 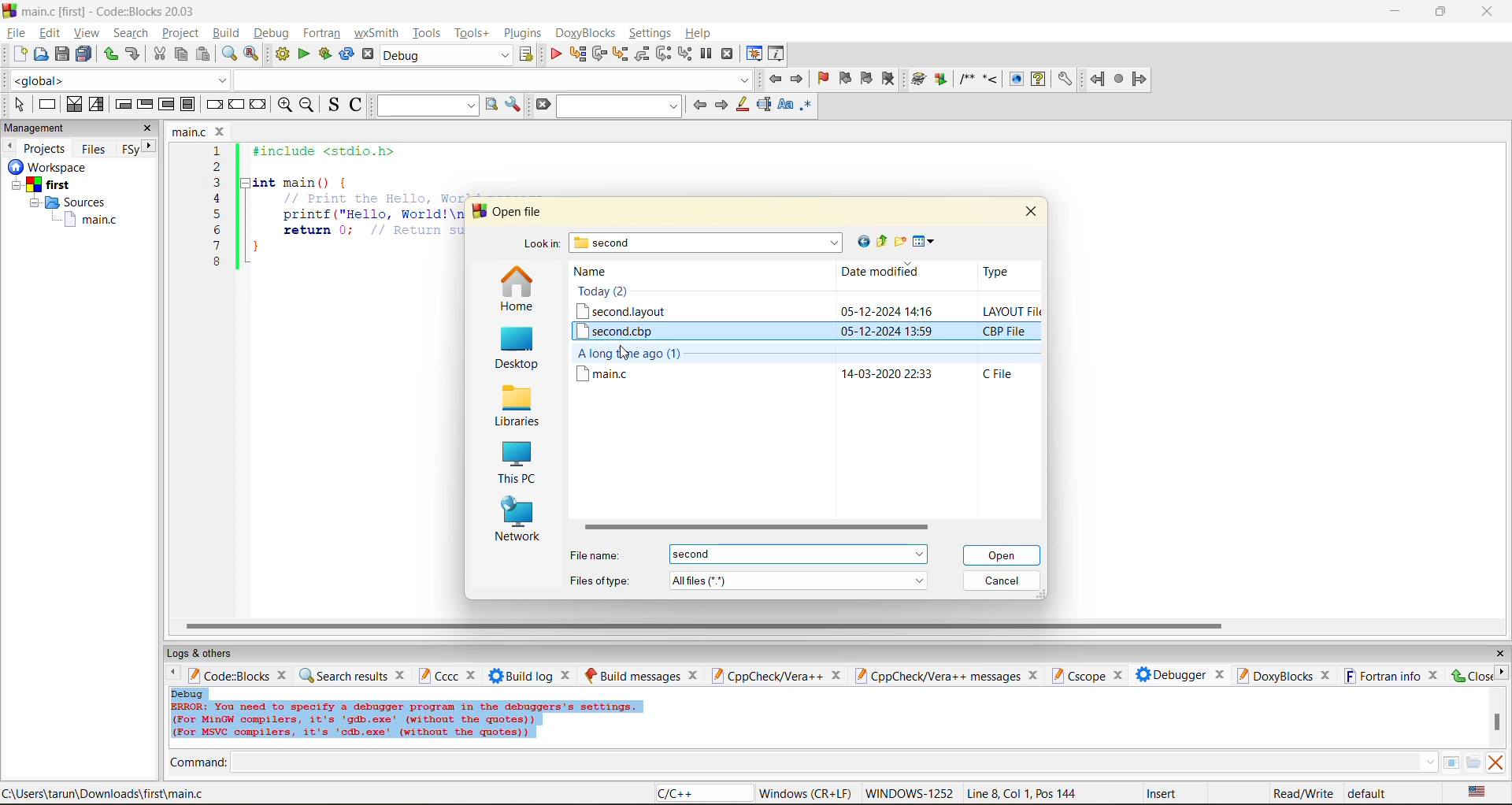 What do you see at coordinates (888, 375) in the screenshot?
I see `date and time` at bounding box center [888, 375].